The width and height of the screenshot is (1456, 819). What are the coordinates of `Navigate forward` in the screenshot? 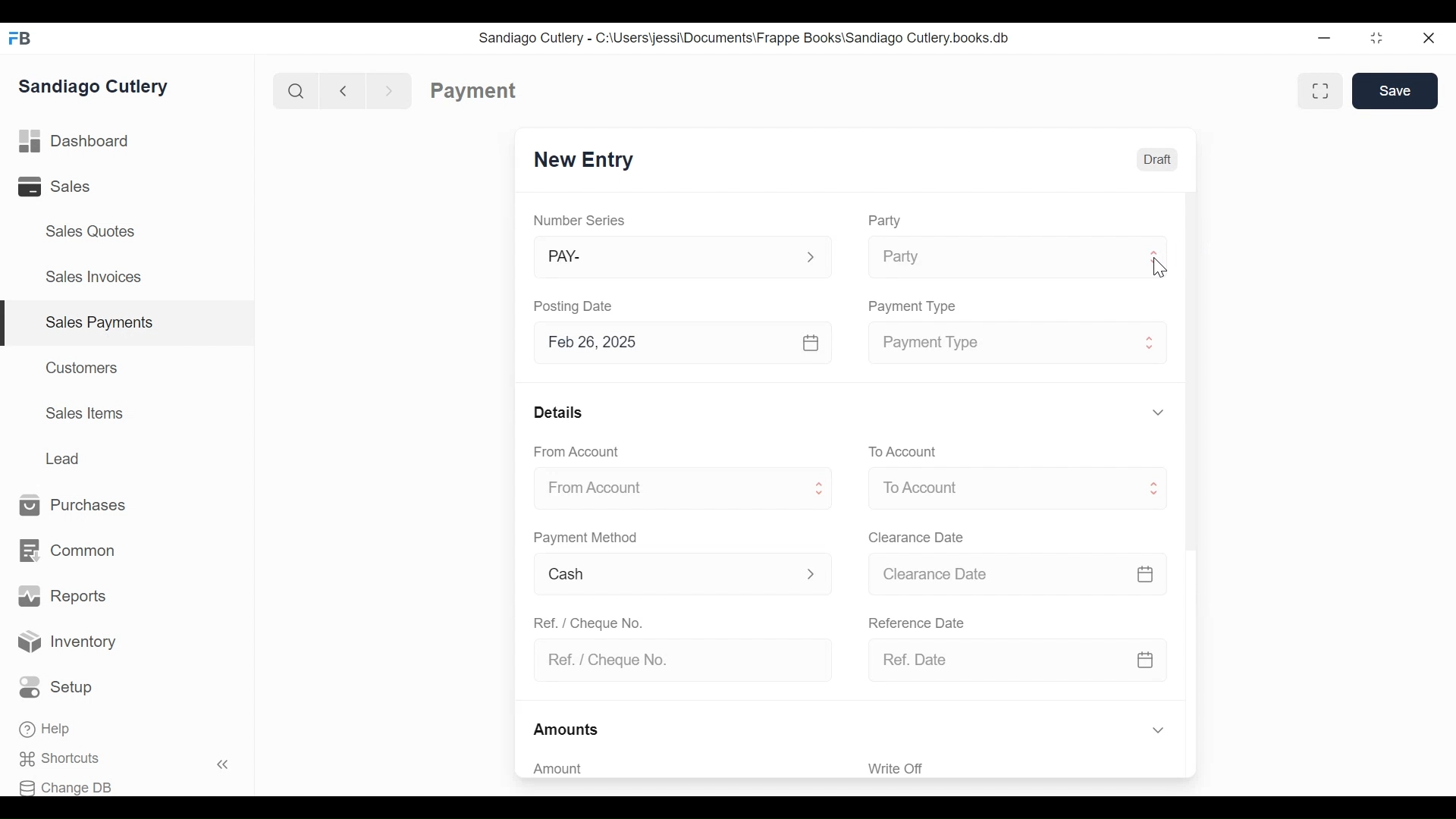 It's located at (390, 89).